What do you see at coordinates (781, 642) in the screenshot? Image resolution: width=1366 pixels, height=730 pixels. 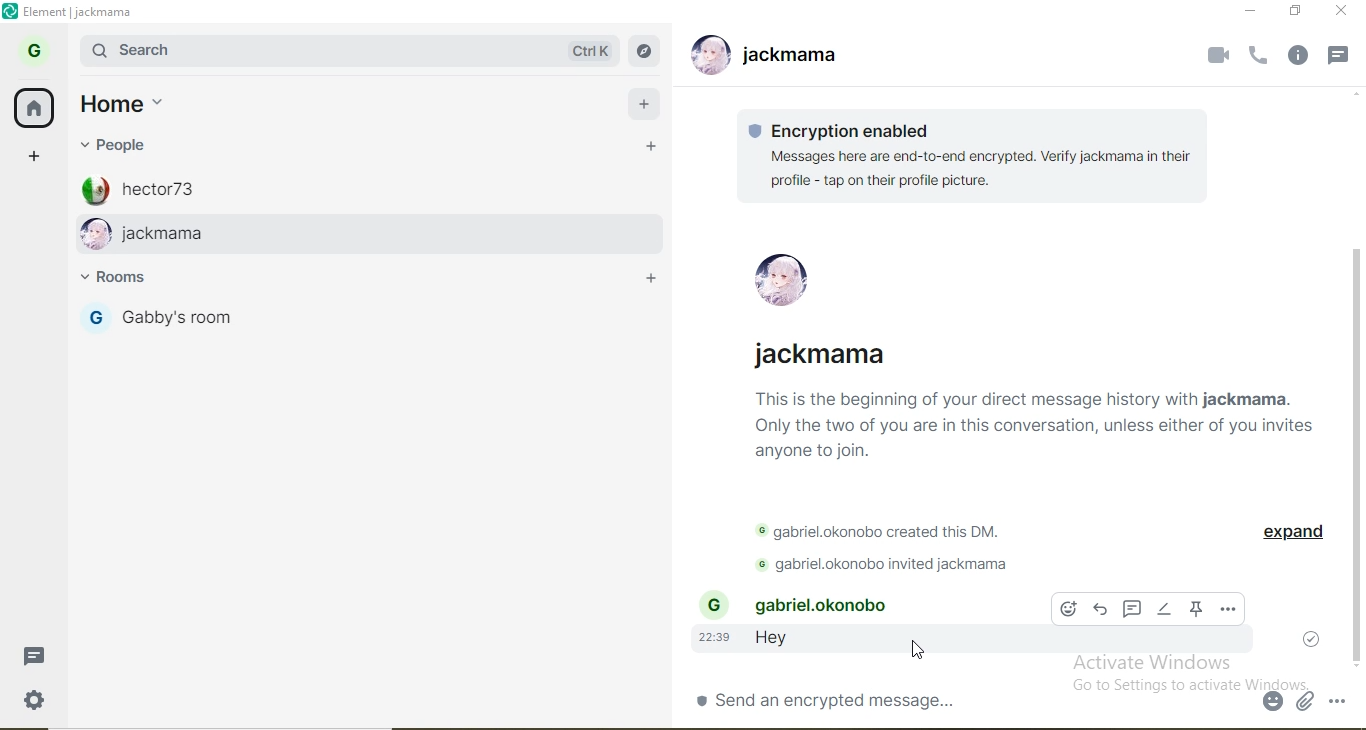 I see `hey` at bounding box center [781, 642].